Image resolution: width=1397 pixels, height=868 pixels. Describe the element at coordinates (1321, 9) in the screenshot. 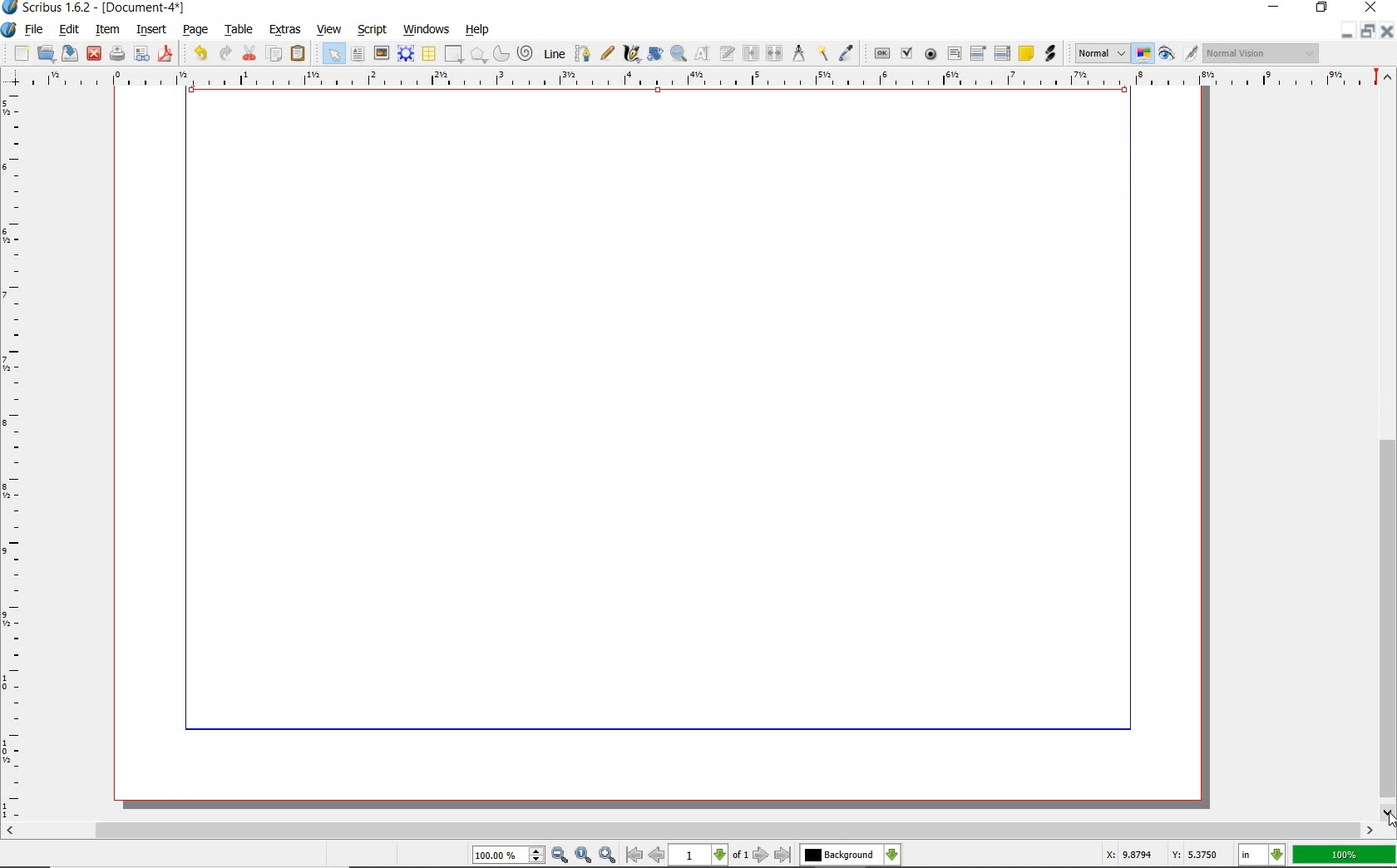

I see `restore` at that location.